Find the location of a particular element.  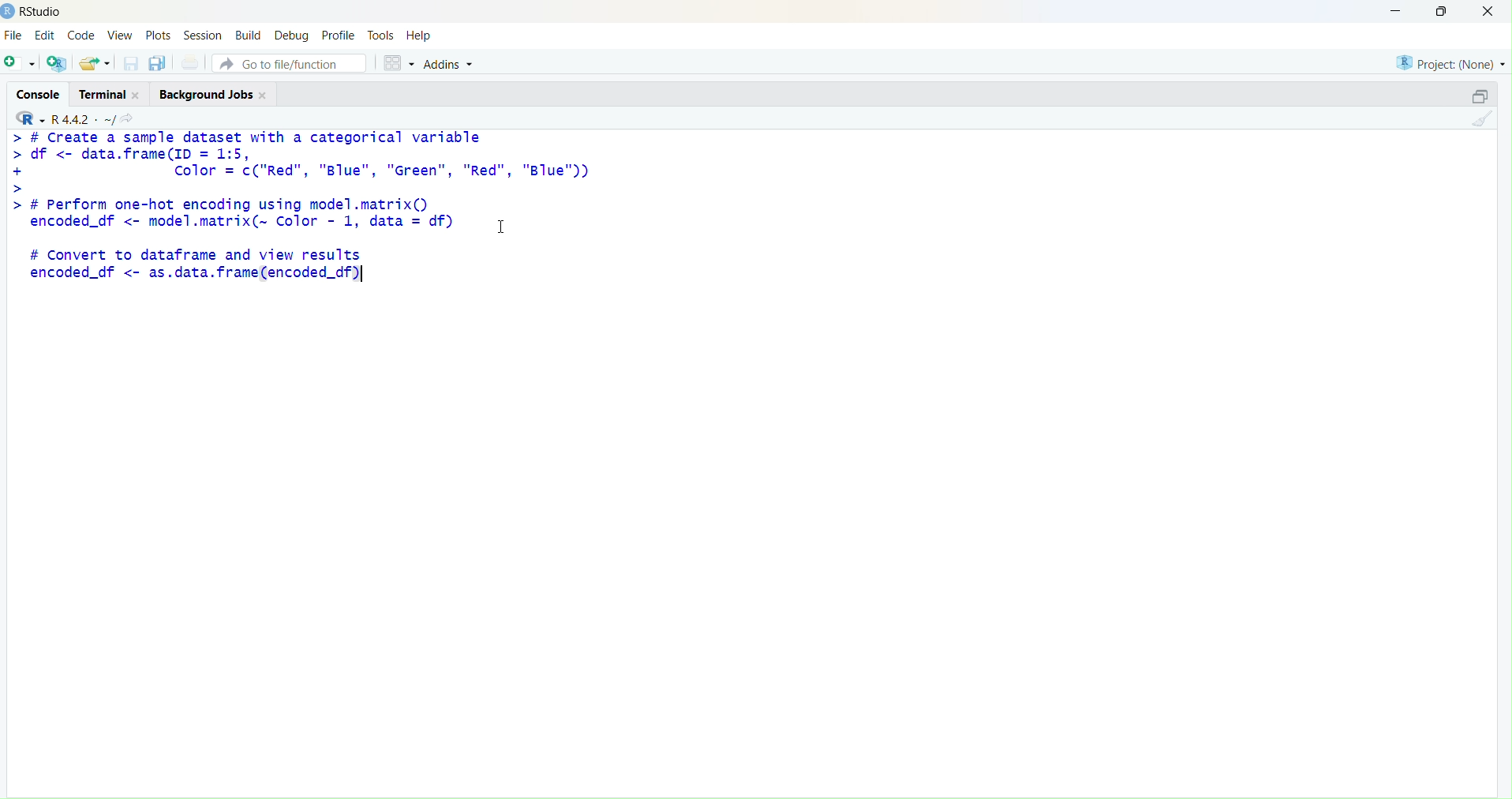

copy is located at coordinates (158, 63).